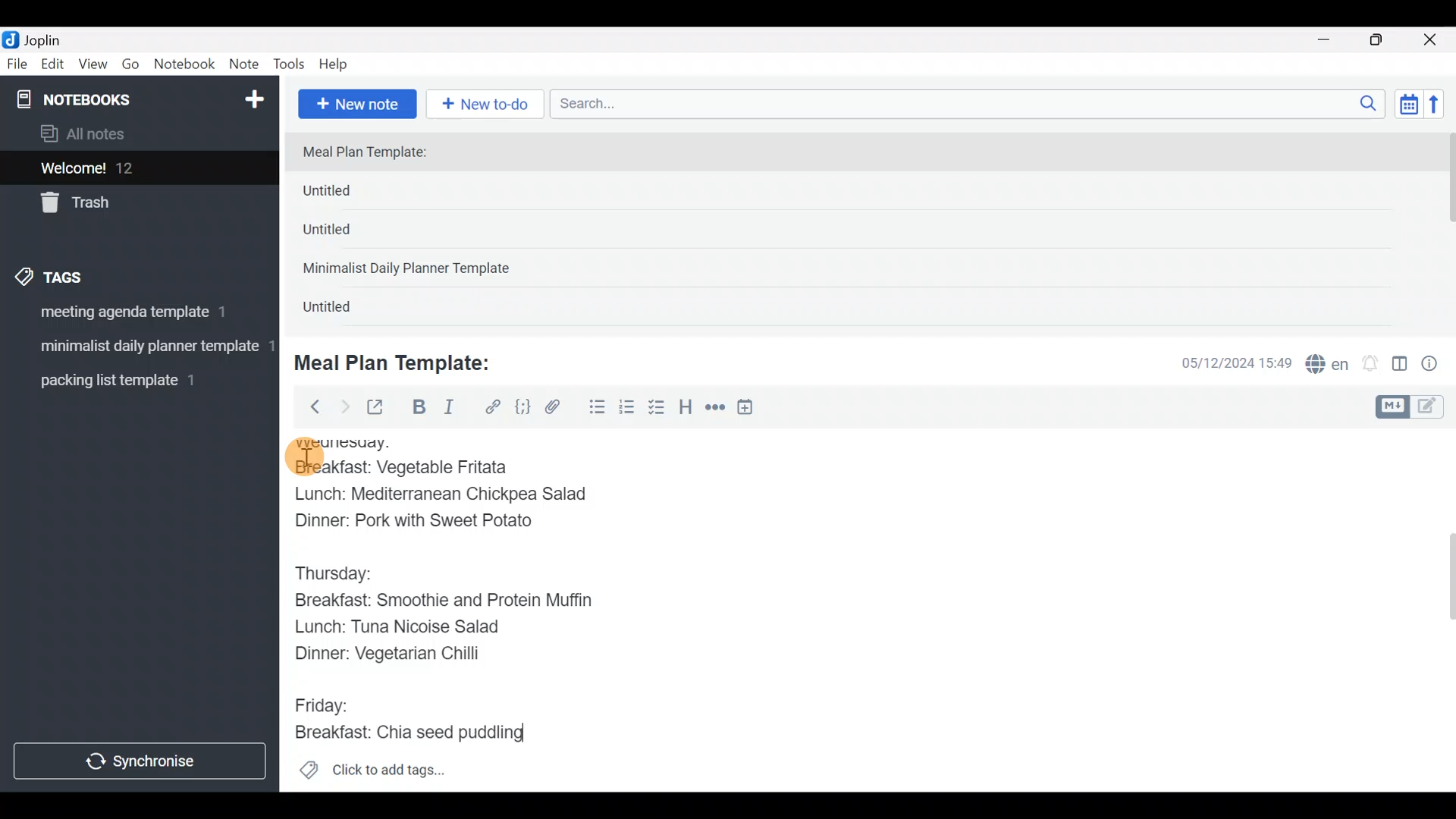 This screenshot has width=1456, height=819. Describe the element at coordinates (1432, 41) in the screenshot. I see `Close` at that location.